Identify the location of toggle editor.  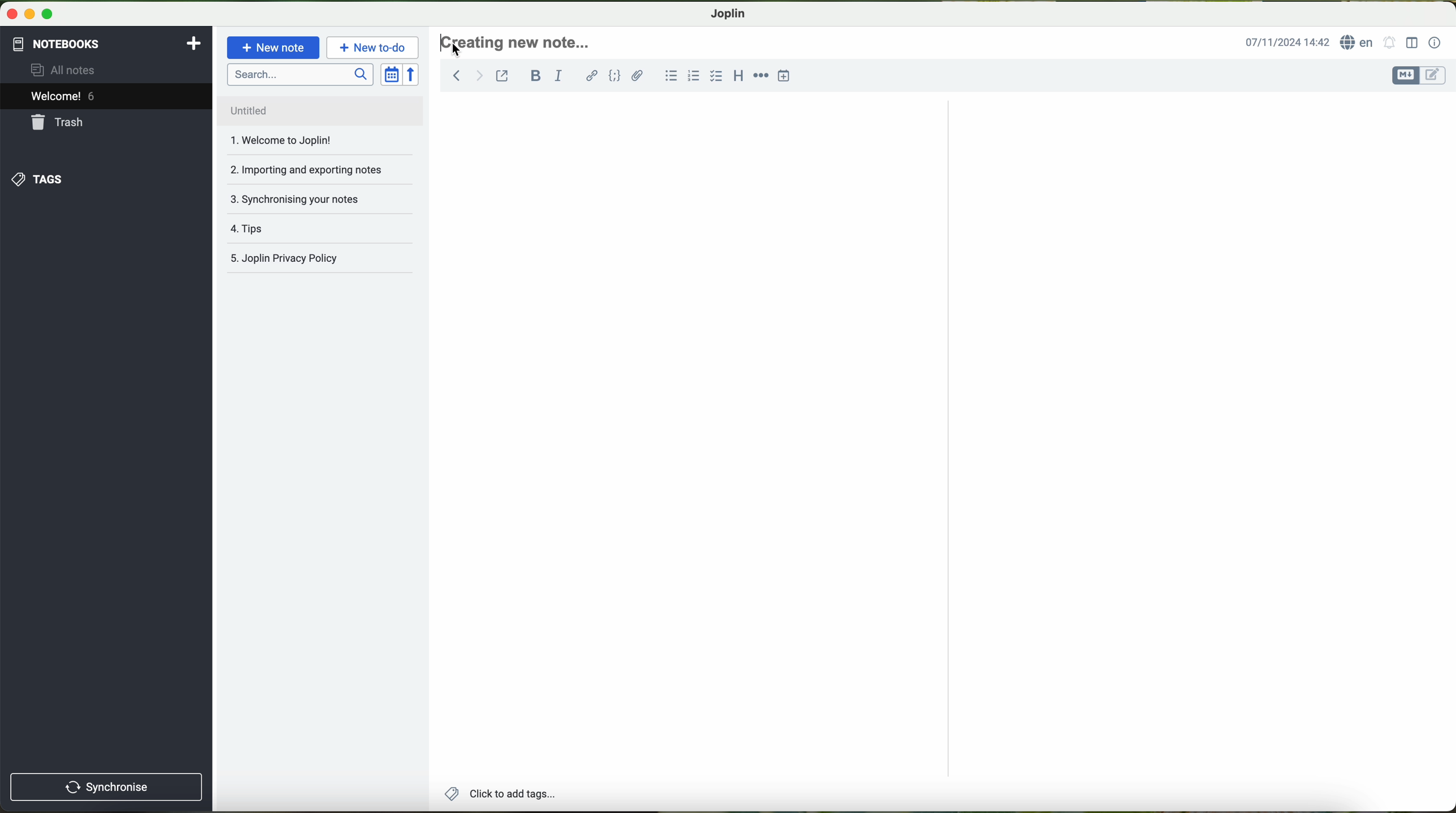
(1419, 75).